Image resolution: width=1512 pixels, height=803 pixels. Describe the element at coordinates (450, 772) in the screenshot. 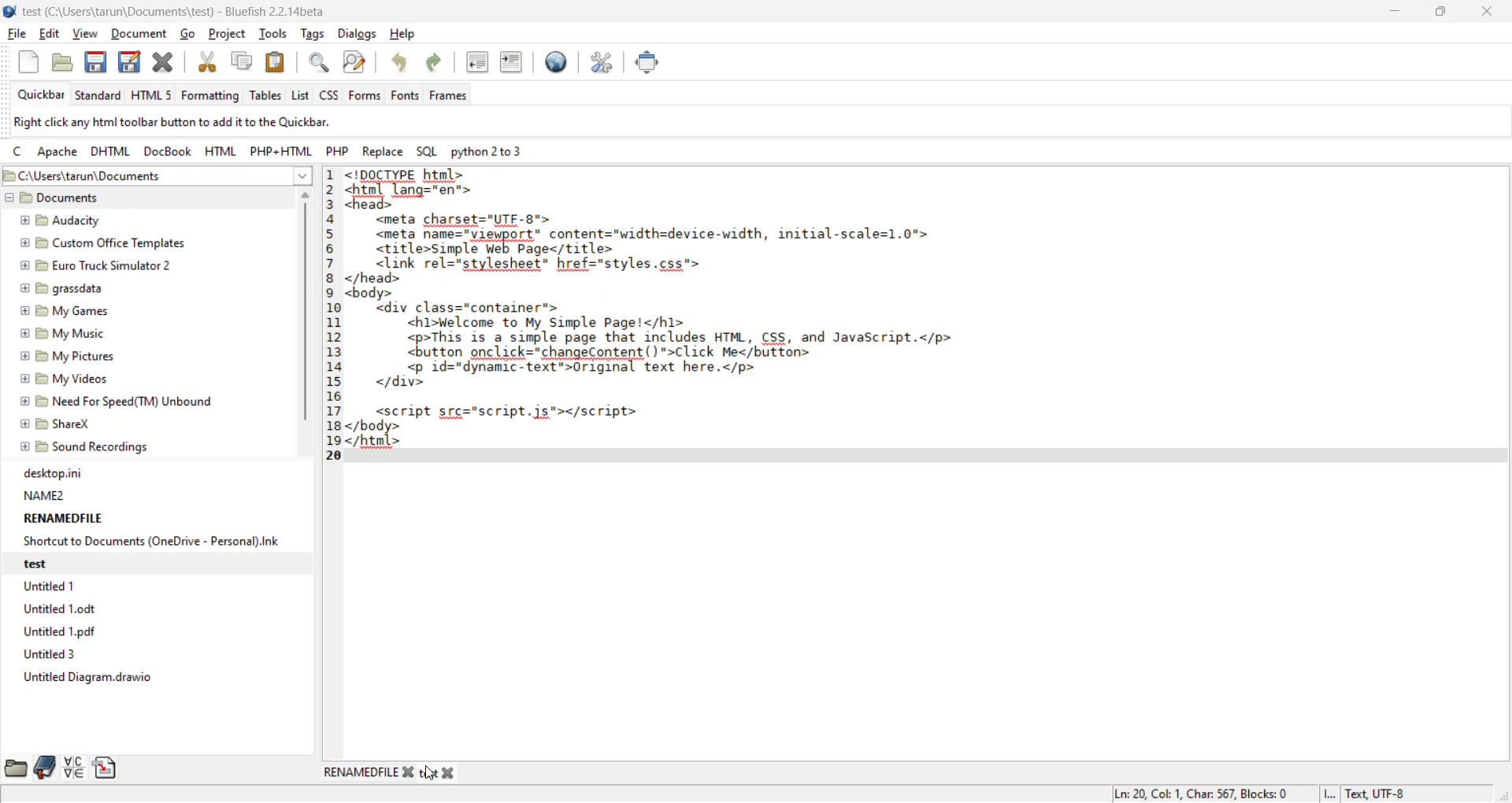

I see `close` at that location.